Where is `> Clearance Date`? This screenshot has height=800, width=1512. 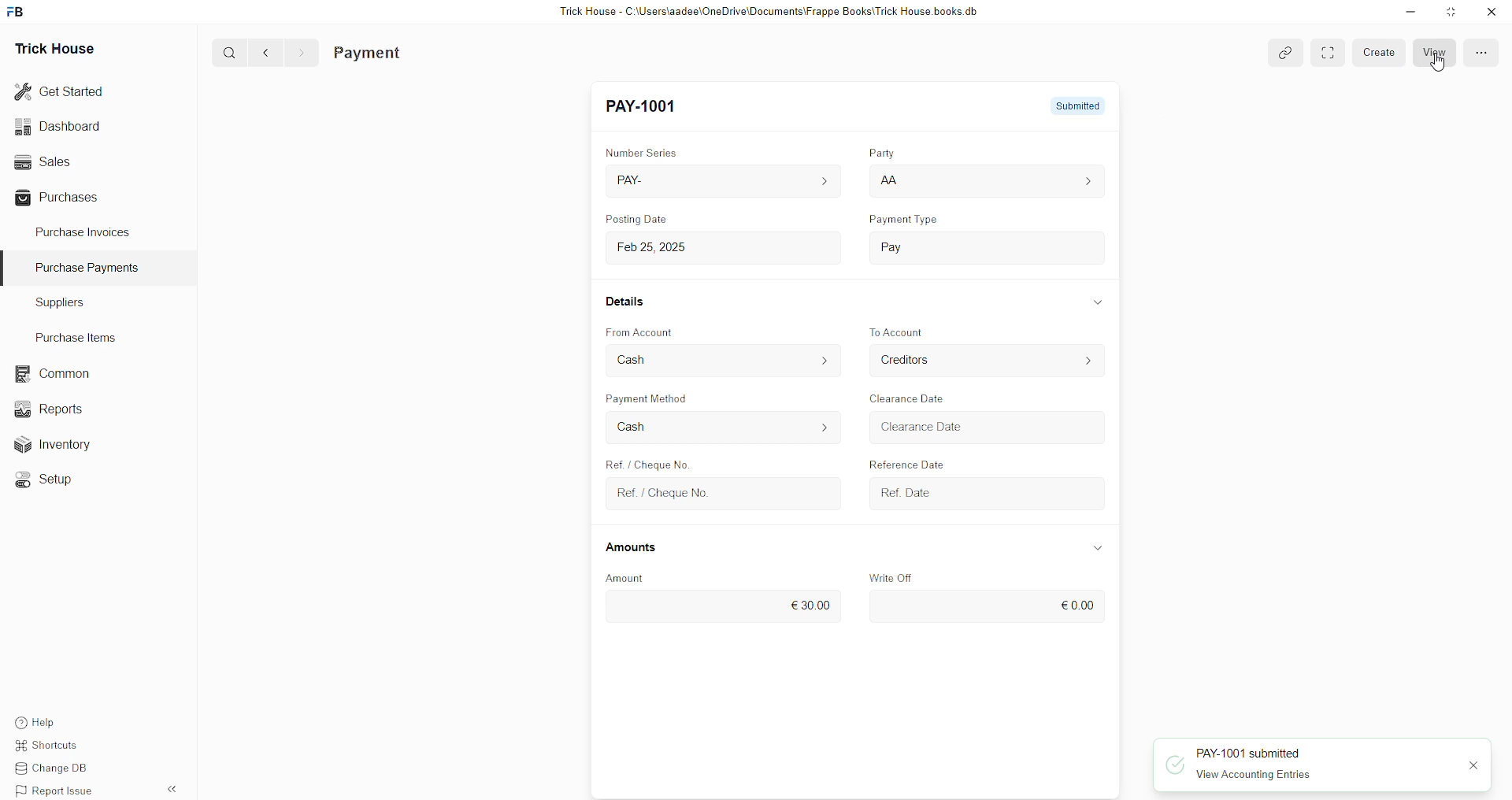
> Clearance Date is located at coordinates (949, 426).